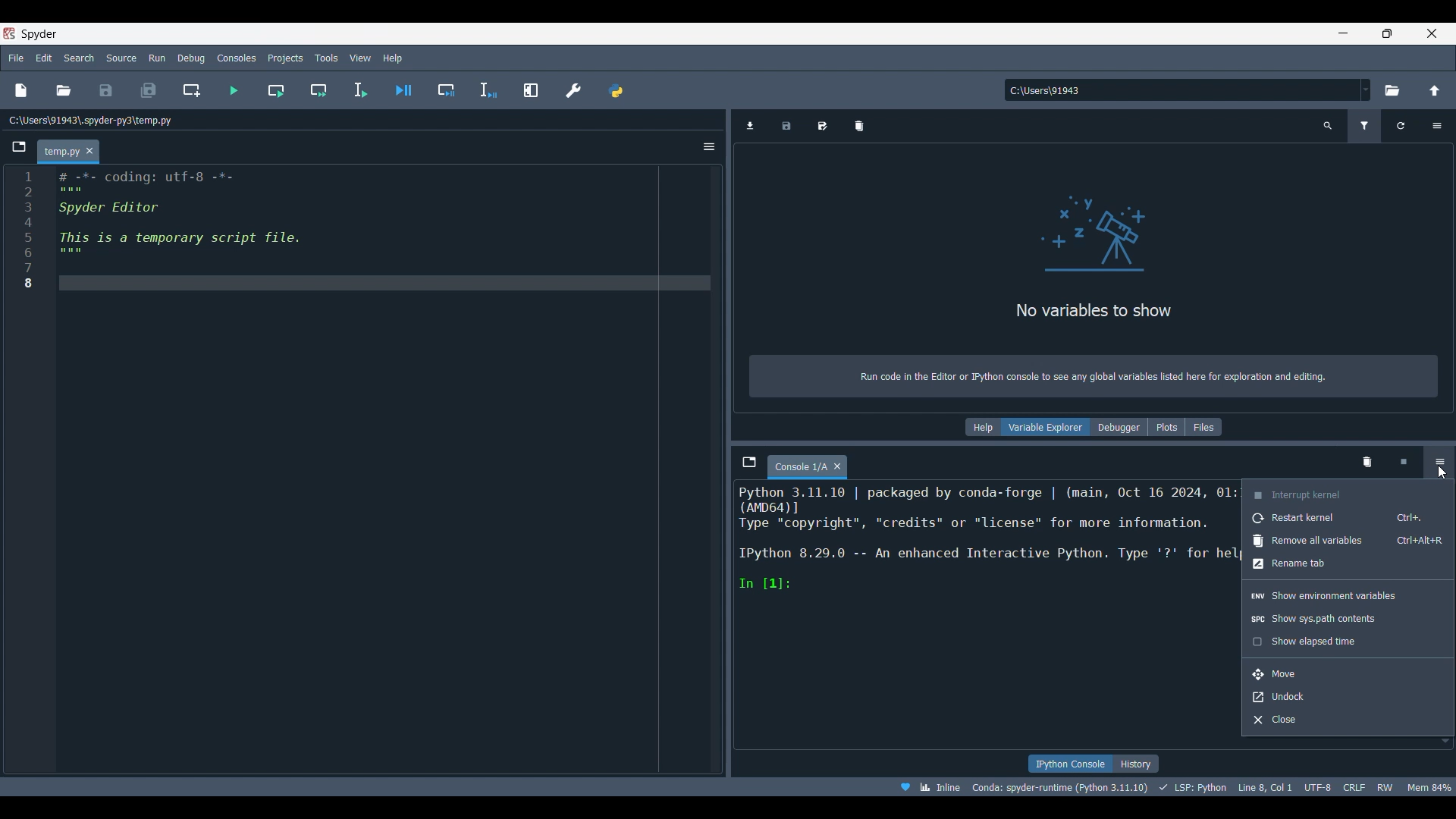 Image resolution: width=1456 pixels, height=819 pixels. I want to click on Software name, so click(40, 34).